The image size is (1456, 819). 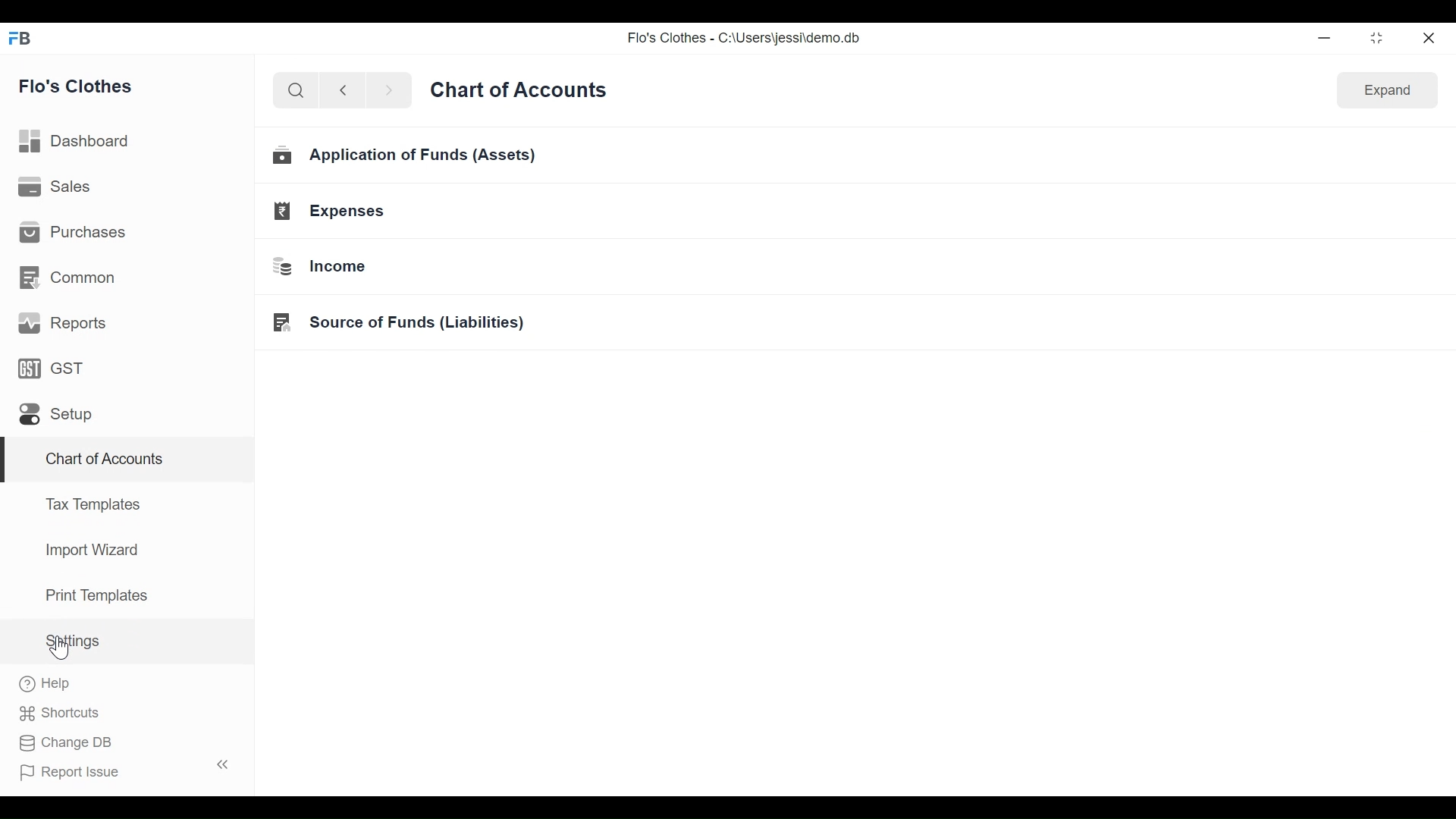 I want to click on Chart of Accounts, so click(x=130, y=463).